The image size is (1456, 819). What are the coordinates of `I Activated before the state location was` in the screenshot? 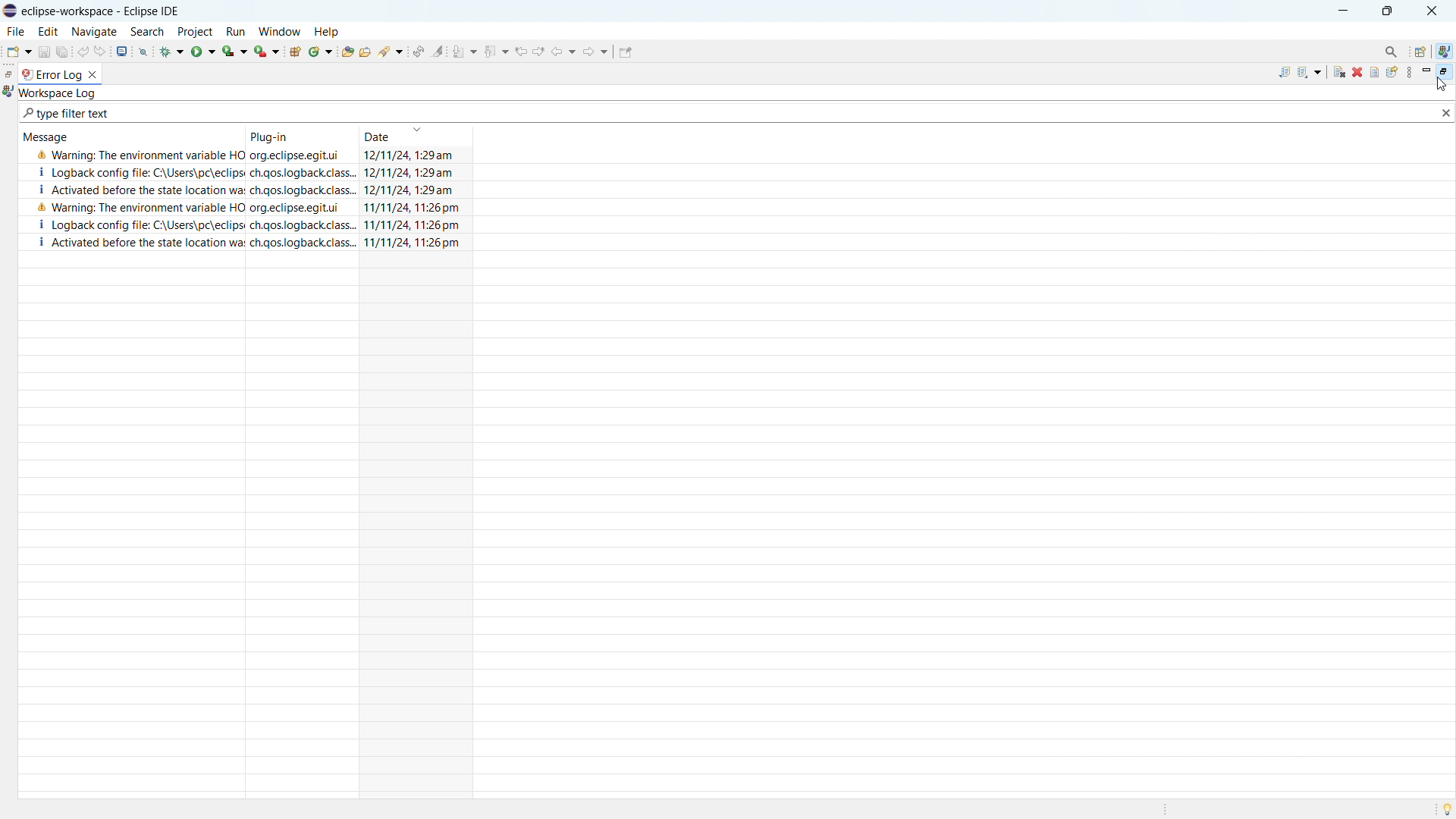 It's located at (143, 243).